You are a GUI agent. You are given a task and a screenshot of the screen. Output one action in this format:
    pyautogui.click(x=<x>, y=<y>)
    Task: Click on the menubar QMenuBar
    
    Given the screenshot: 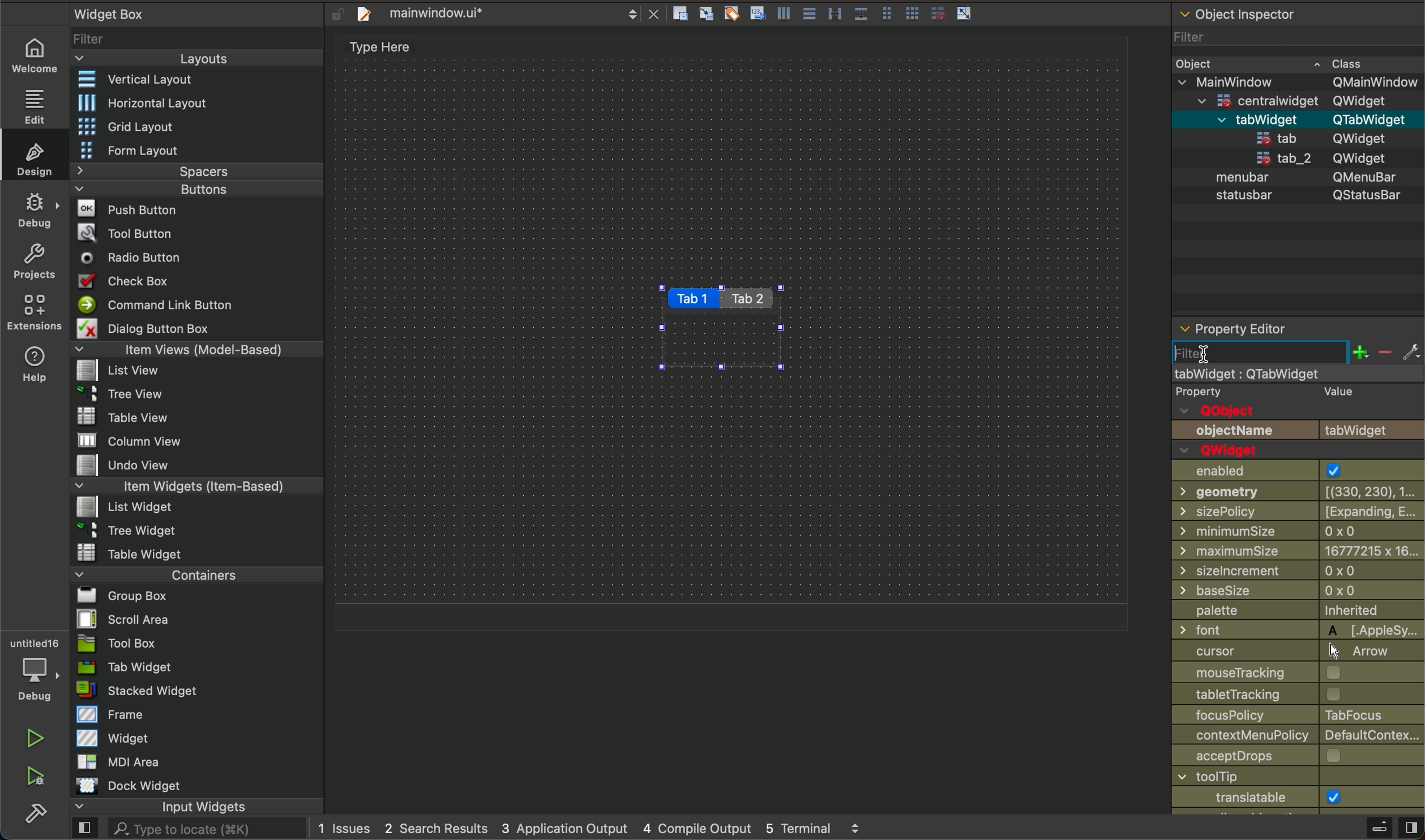 What is the action you would take?
    pyautogui.click(x=1295, y=118)
    